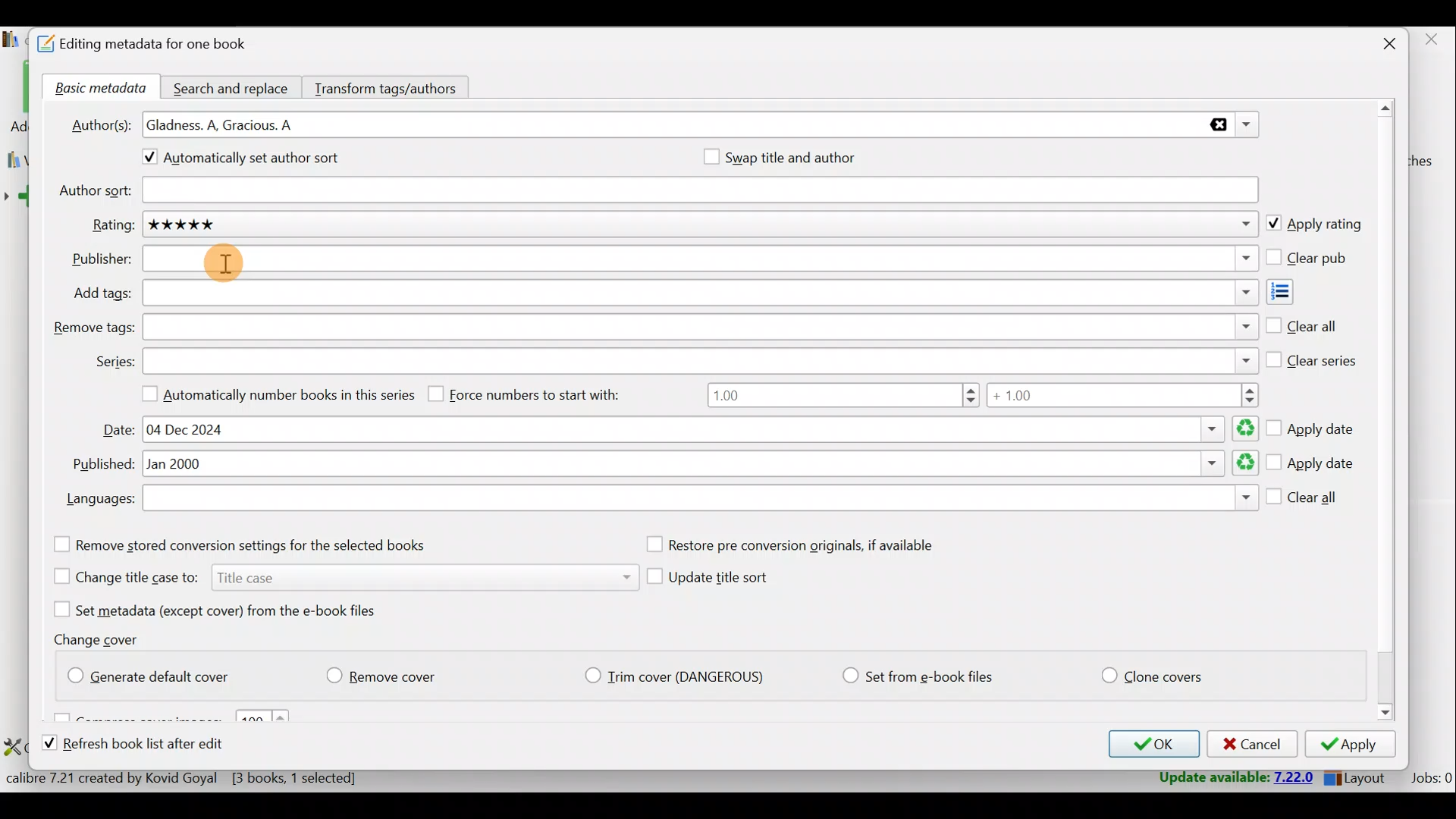  What do you see at coordinates (1313, 424) in the screenshot?
I see `Apply date` at bounding box center [1313, 424].